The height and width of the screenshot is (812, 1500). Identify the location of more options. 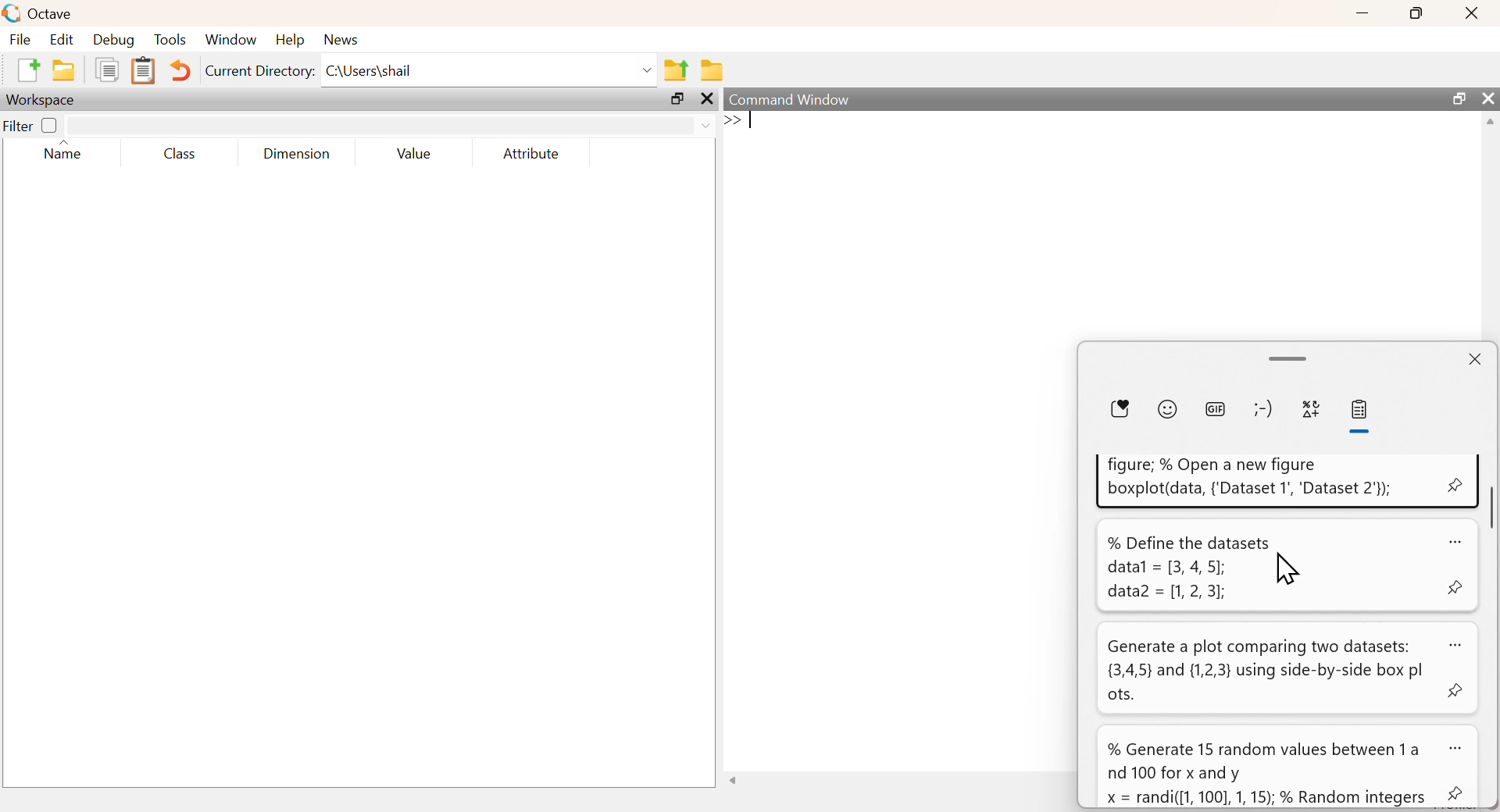
(1457, 644).